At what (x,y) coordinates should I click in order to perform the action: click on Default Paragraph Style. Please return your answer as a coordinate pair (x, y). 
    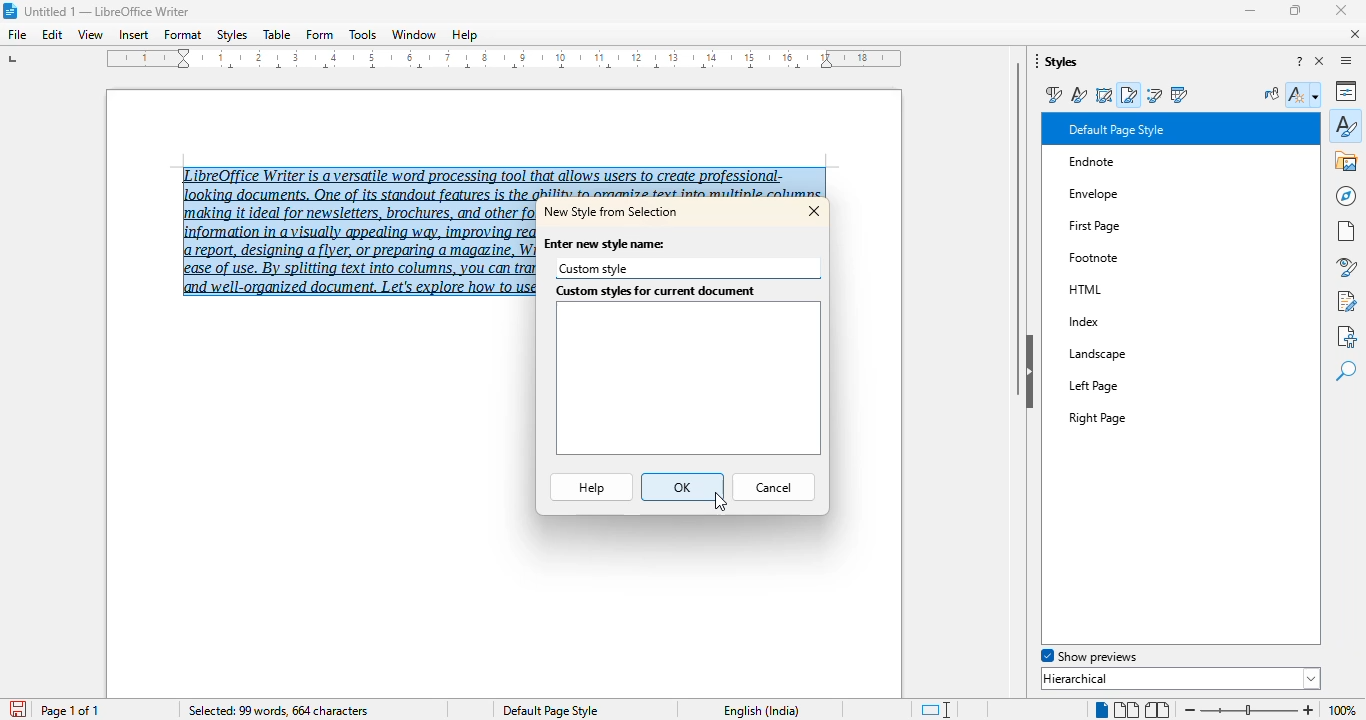
    Looking at the image, I should click on (1152, 129).